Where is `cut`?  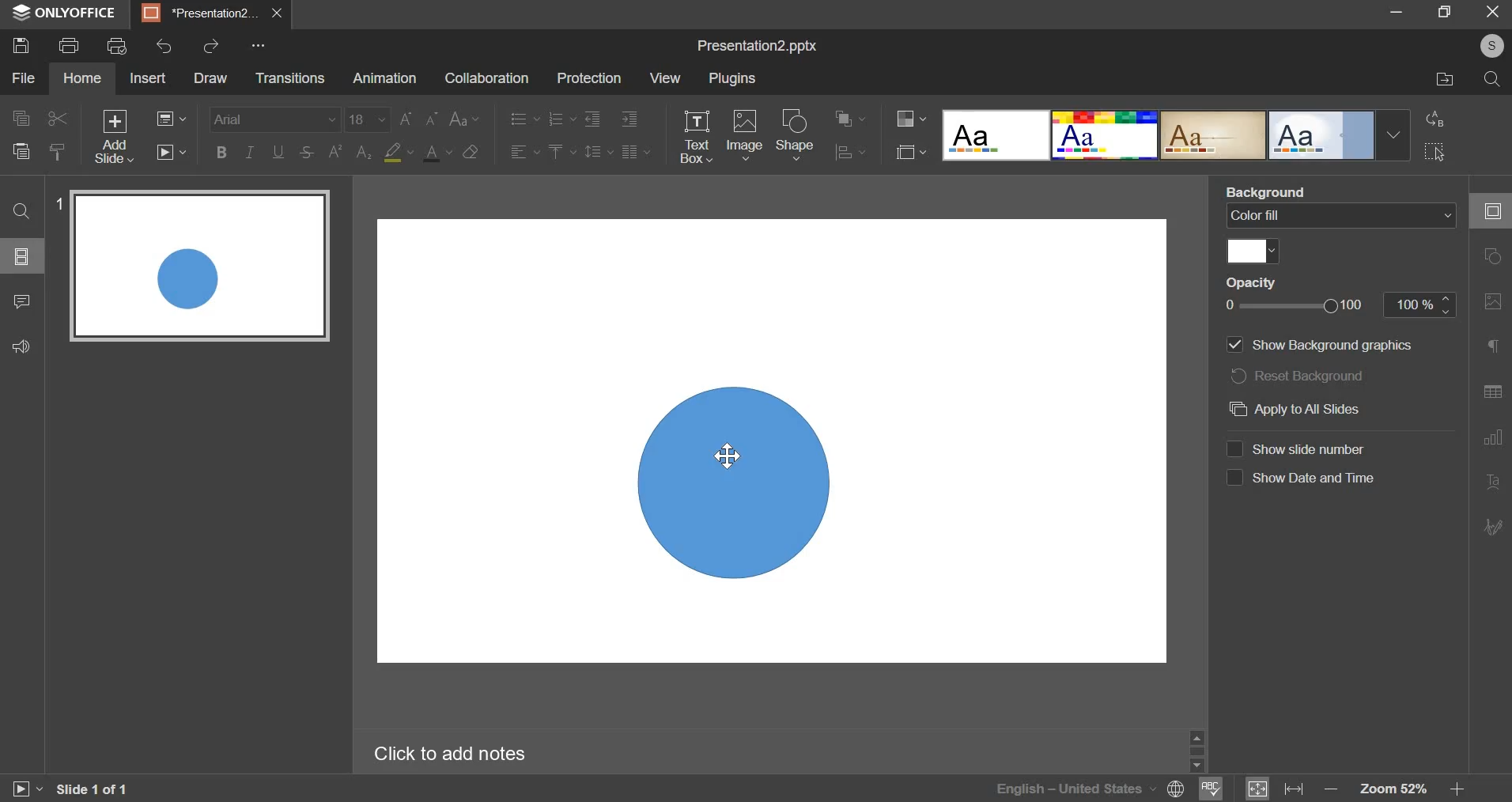 cut is located at coordinates (57, 118).